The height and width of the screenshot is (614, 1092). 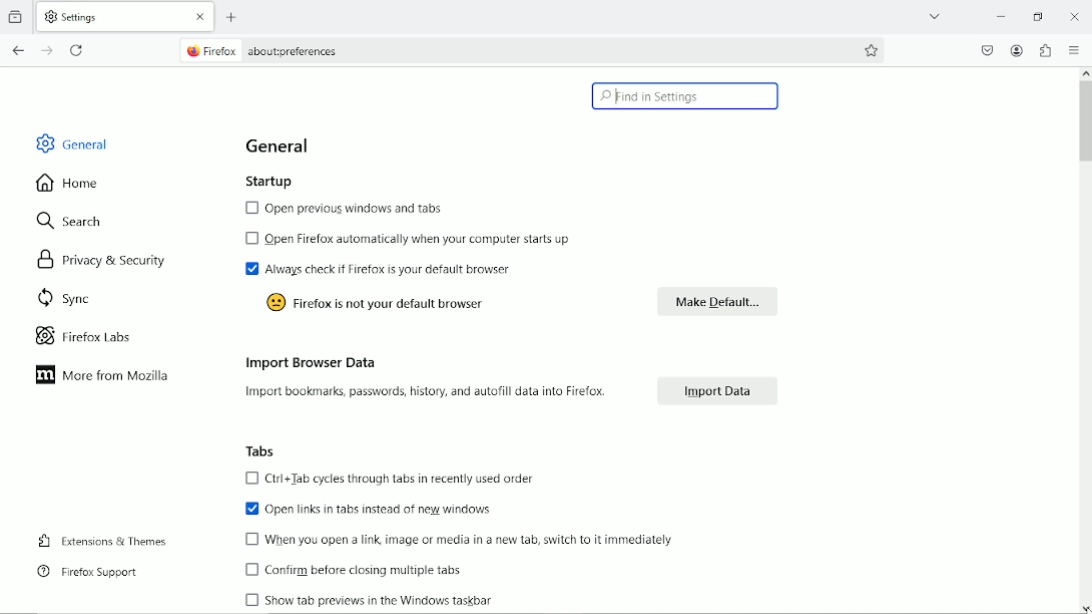 What do you see at coordinates (986, 50) in the screenshot?
I see `save to pocket` at bounding box center [986, 50].